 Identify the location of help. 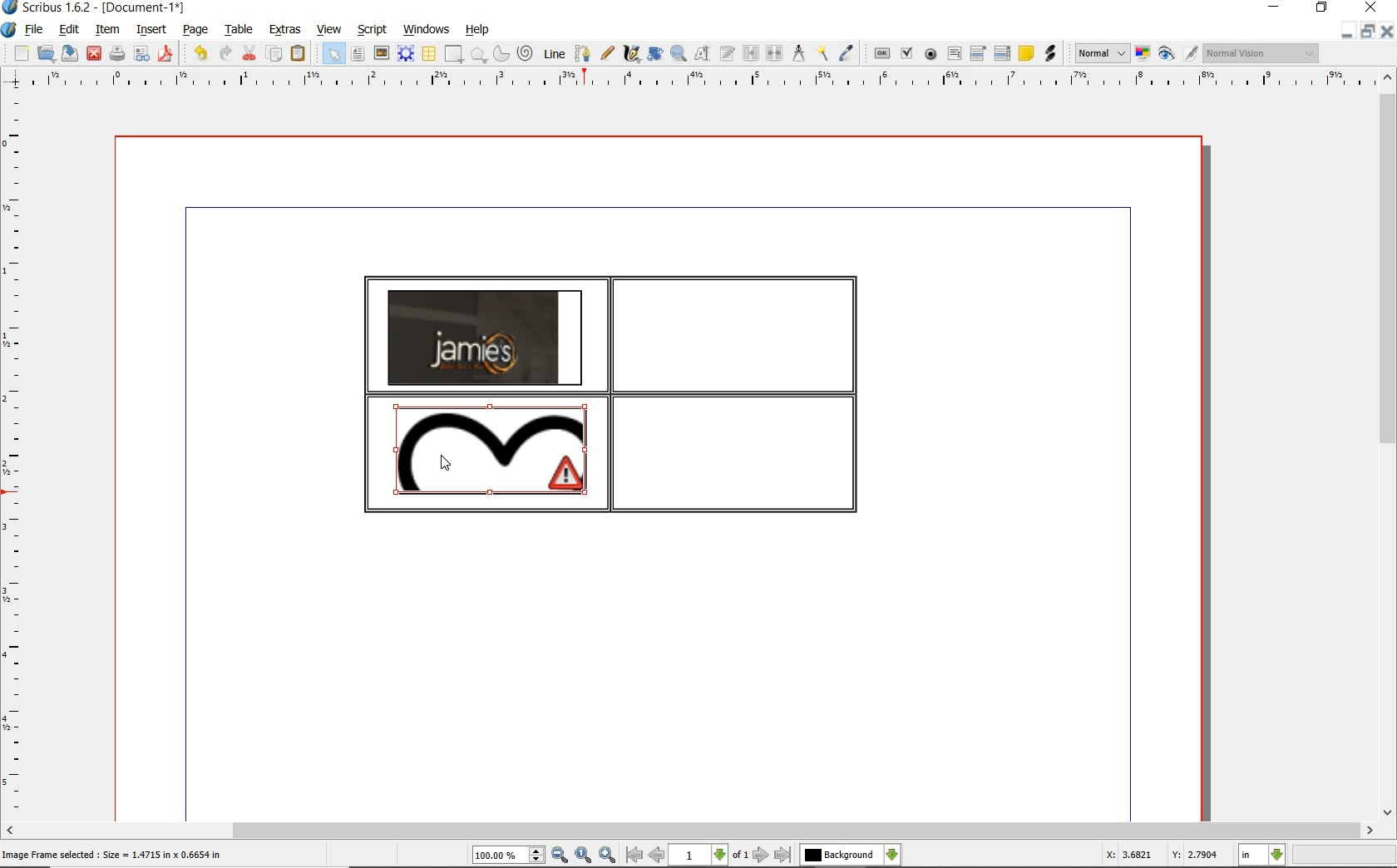
(477, 30).